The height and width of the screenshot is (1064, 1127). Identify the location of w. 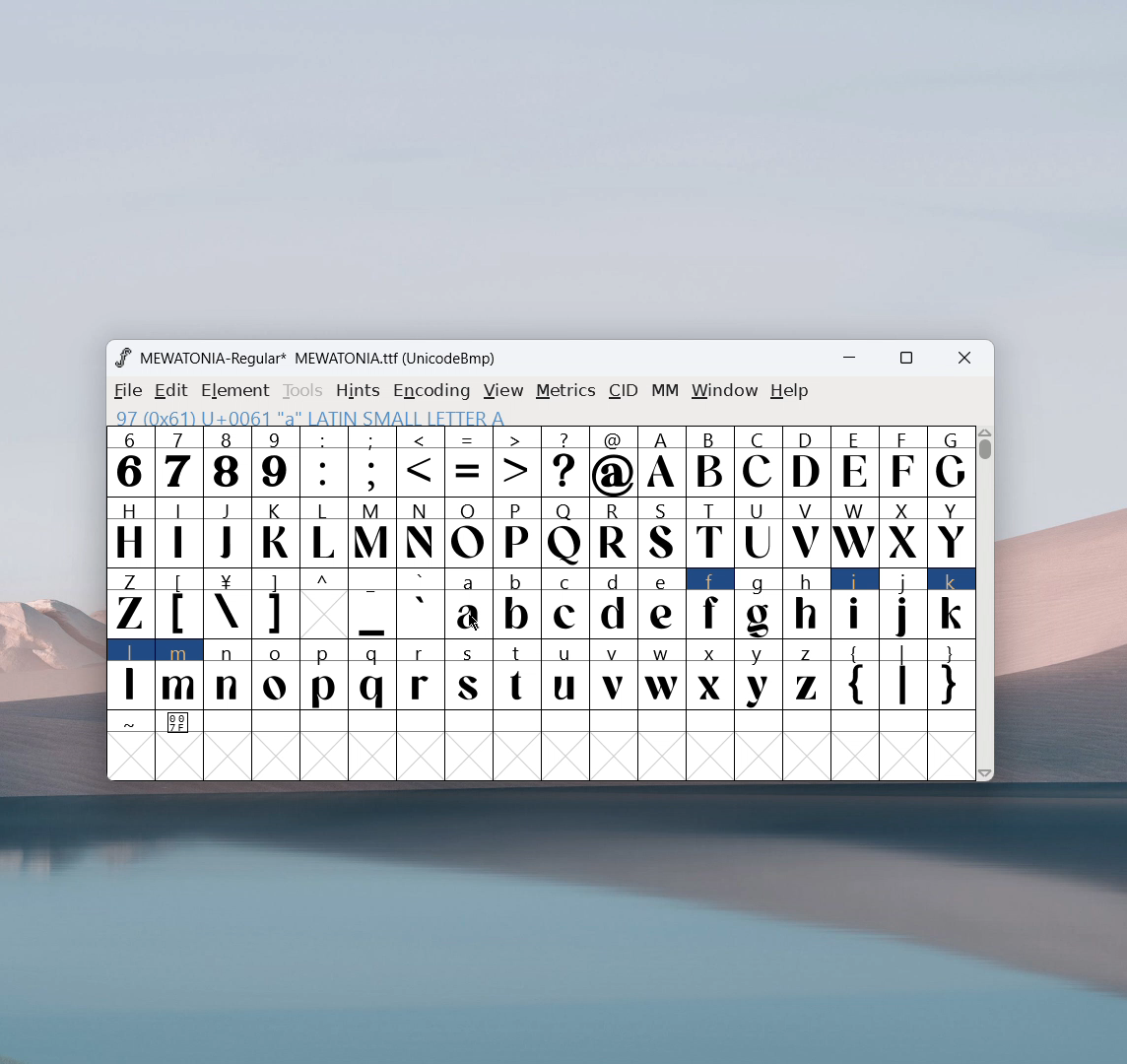
(662, 675).